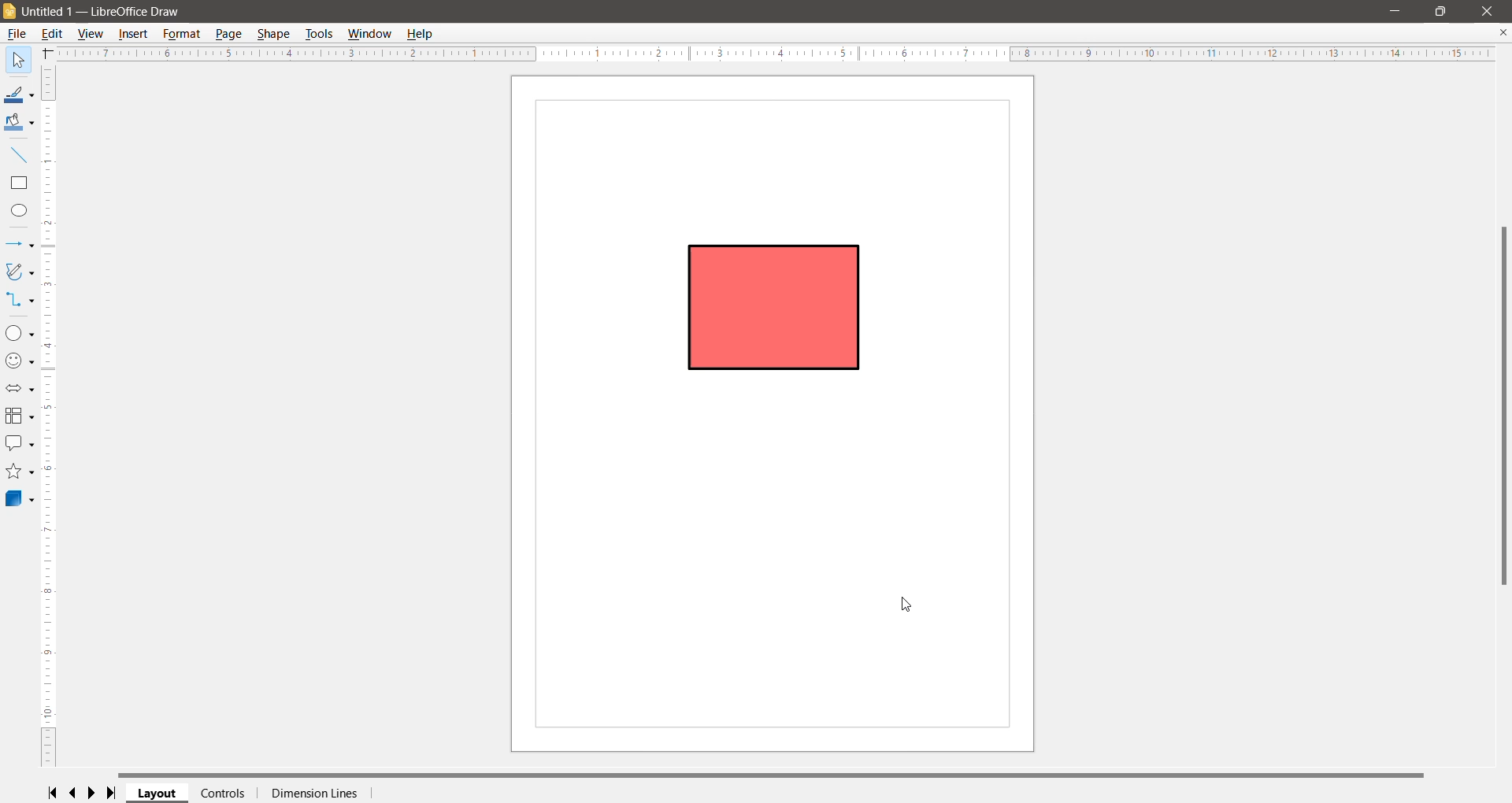 The image size is (1512, 803). I want to click on Tools, so click(319, 34).